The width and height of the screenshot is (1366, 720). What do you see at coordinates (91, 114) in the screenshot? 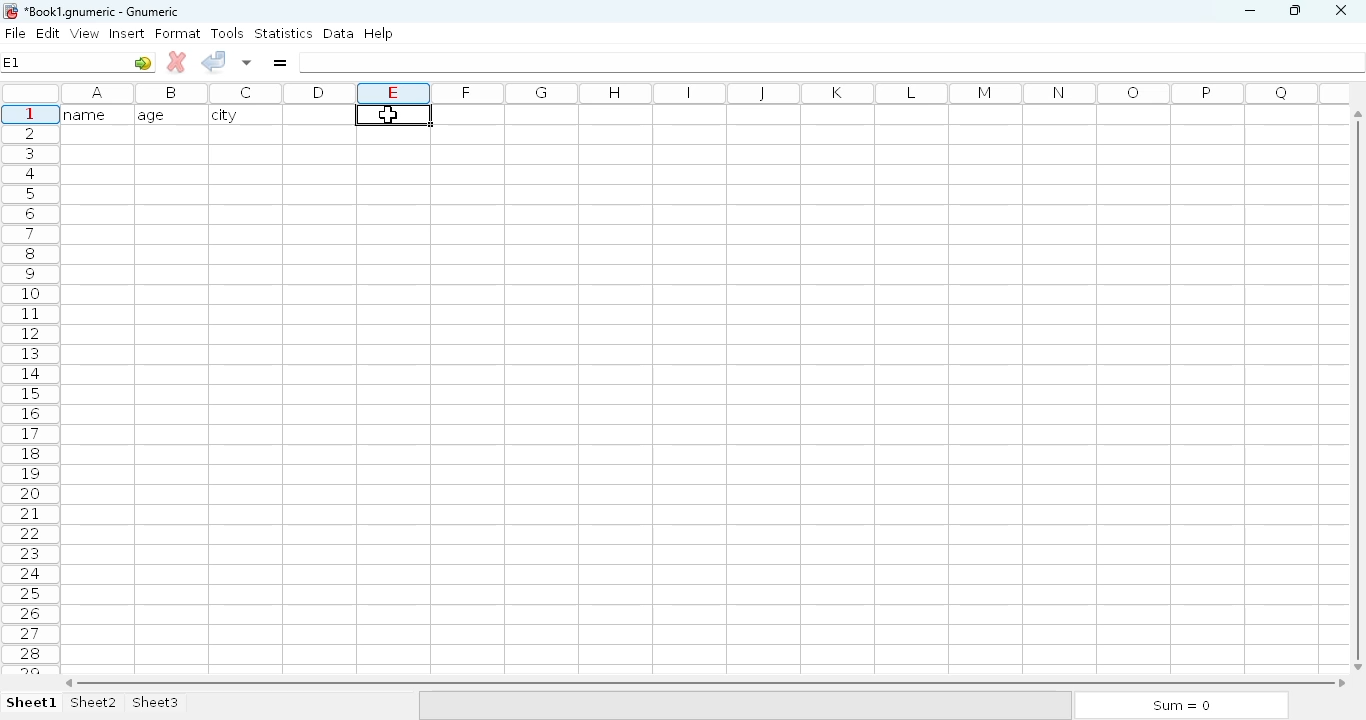
I see `name (heading)` at bounding box center [91, 114].